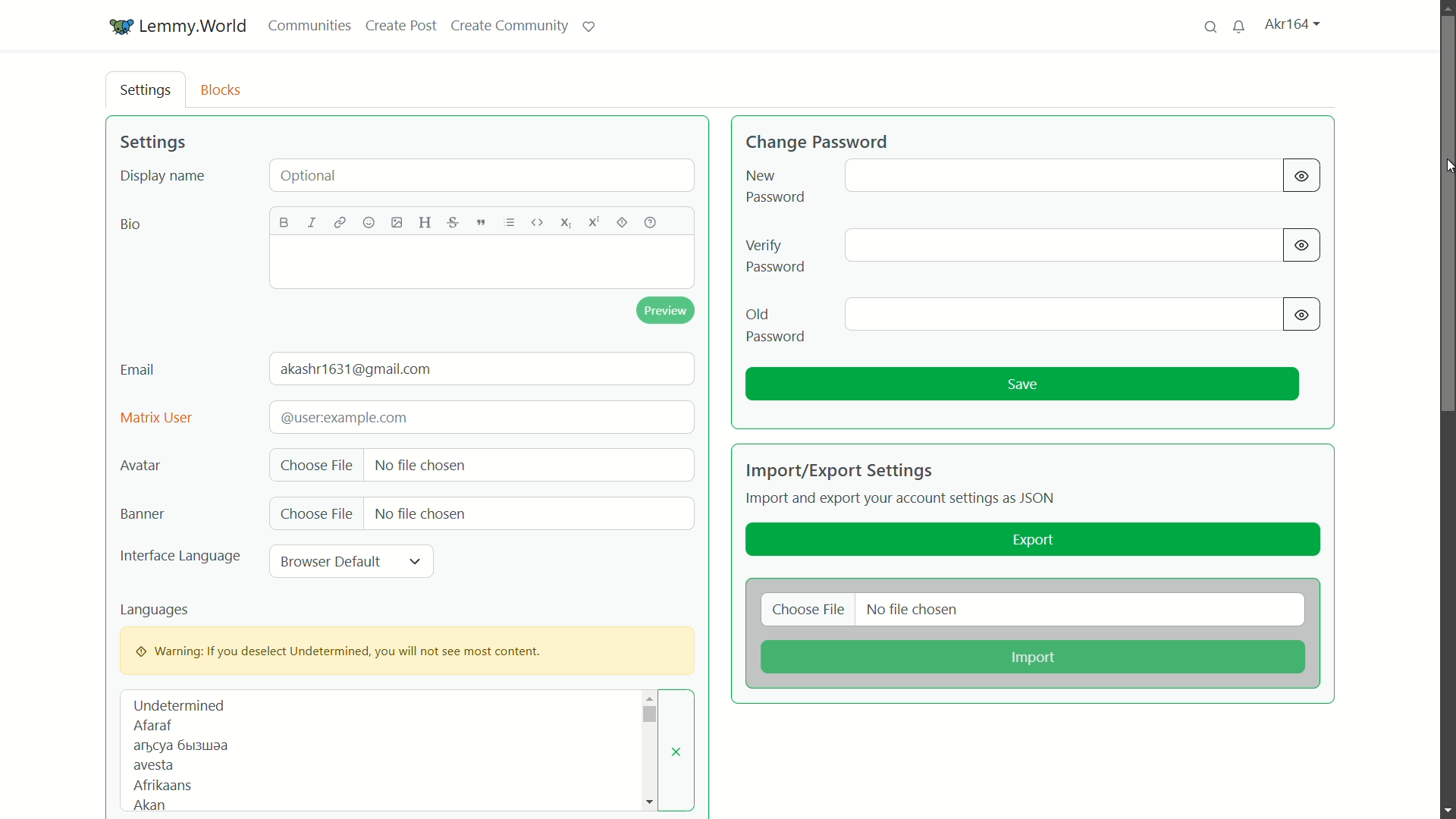 The width and height of the screenshot is (1456, 819). What do you see at coordinates (222, 91) in the screenshot?
I see `blocks` at bounding box center [222, 91].